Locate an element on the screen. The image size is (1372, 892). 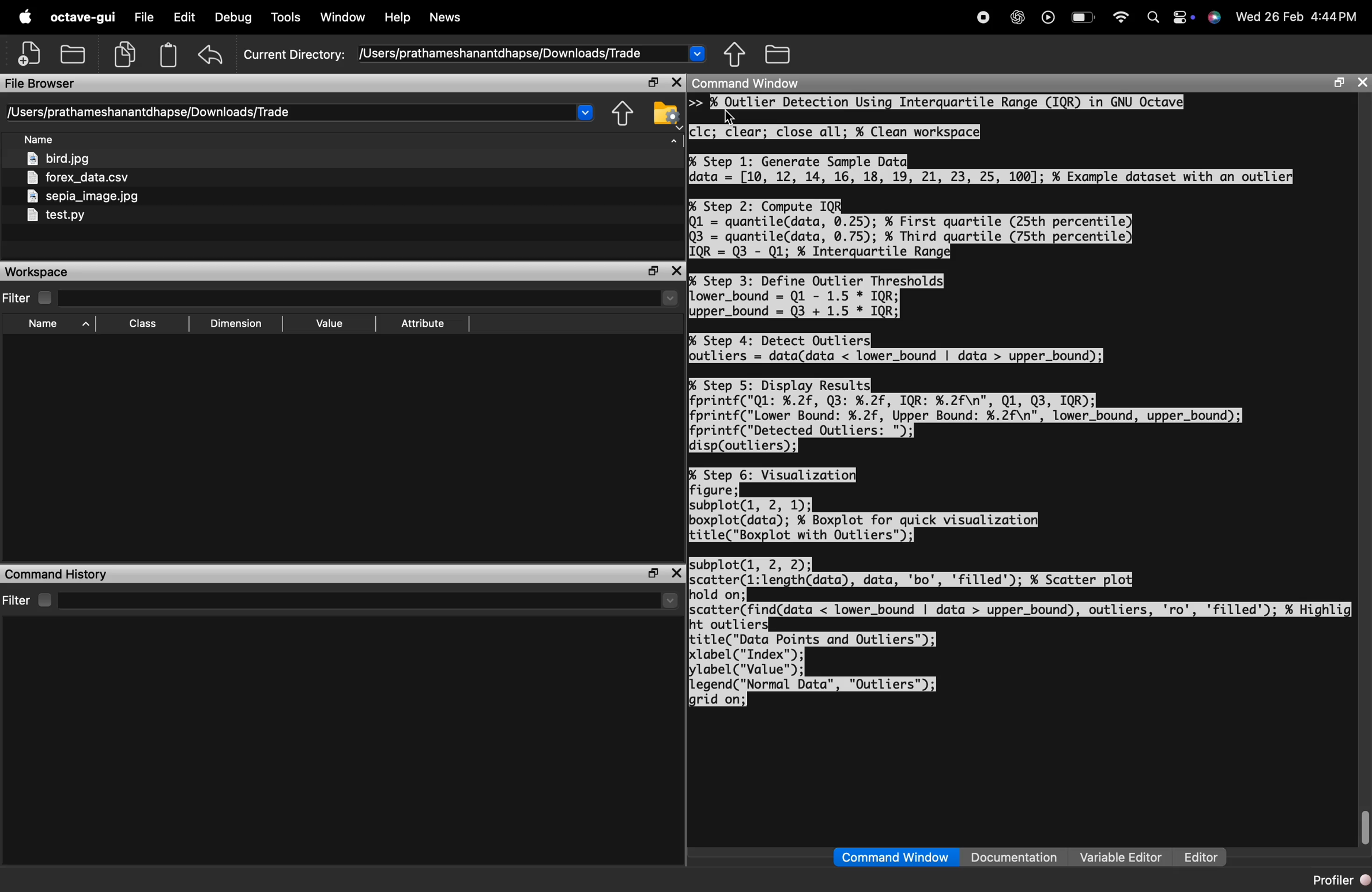
support is located at coordinates (1215, 18).